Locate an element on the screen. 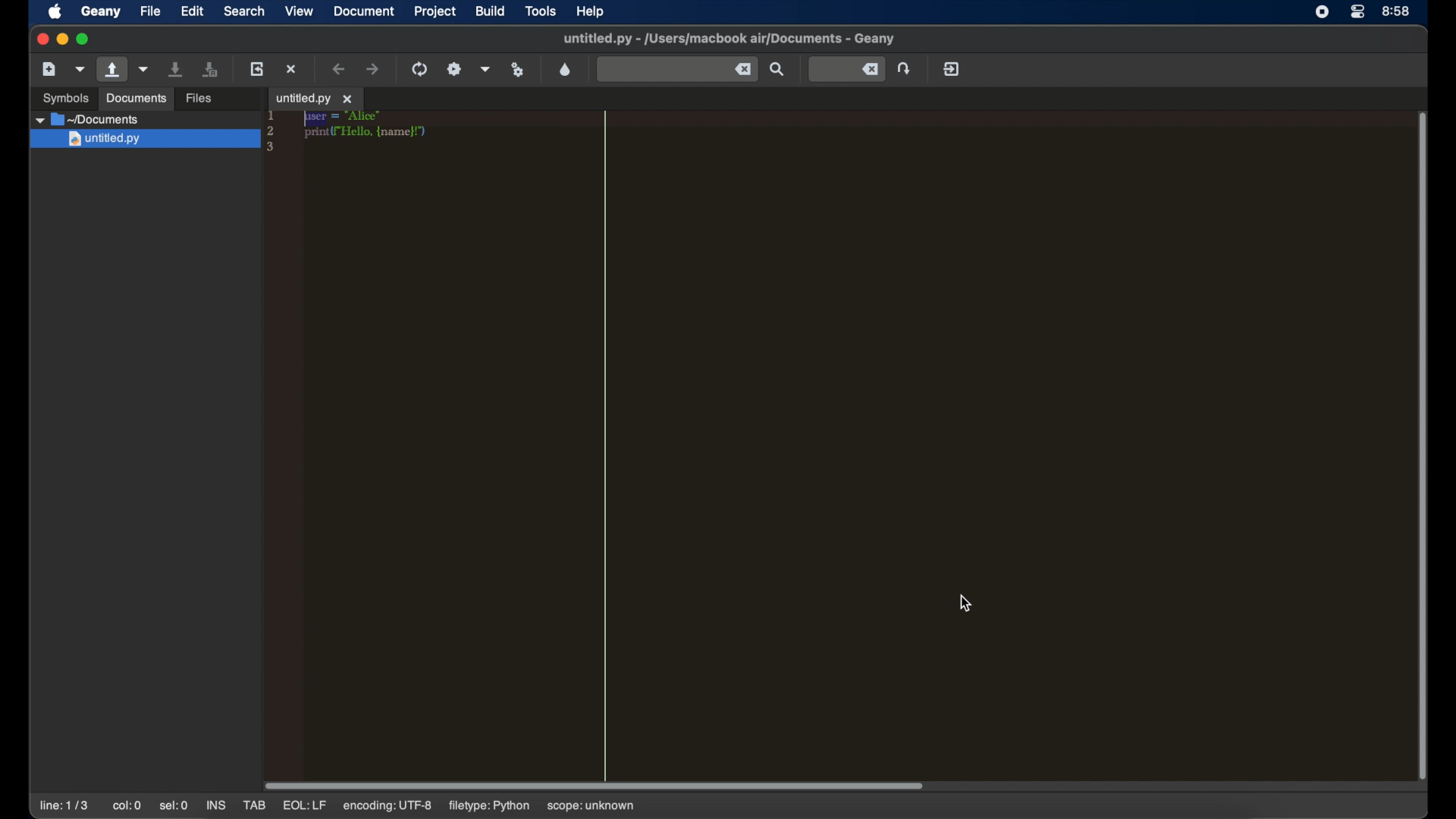  screen recorder icon is located at coordinates (1323, 12).